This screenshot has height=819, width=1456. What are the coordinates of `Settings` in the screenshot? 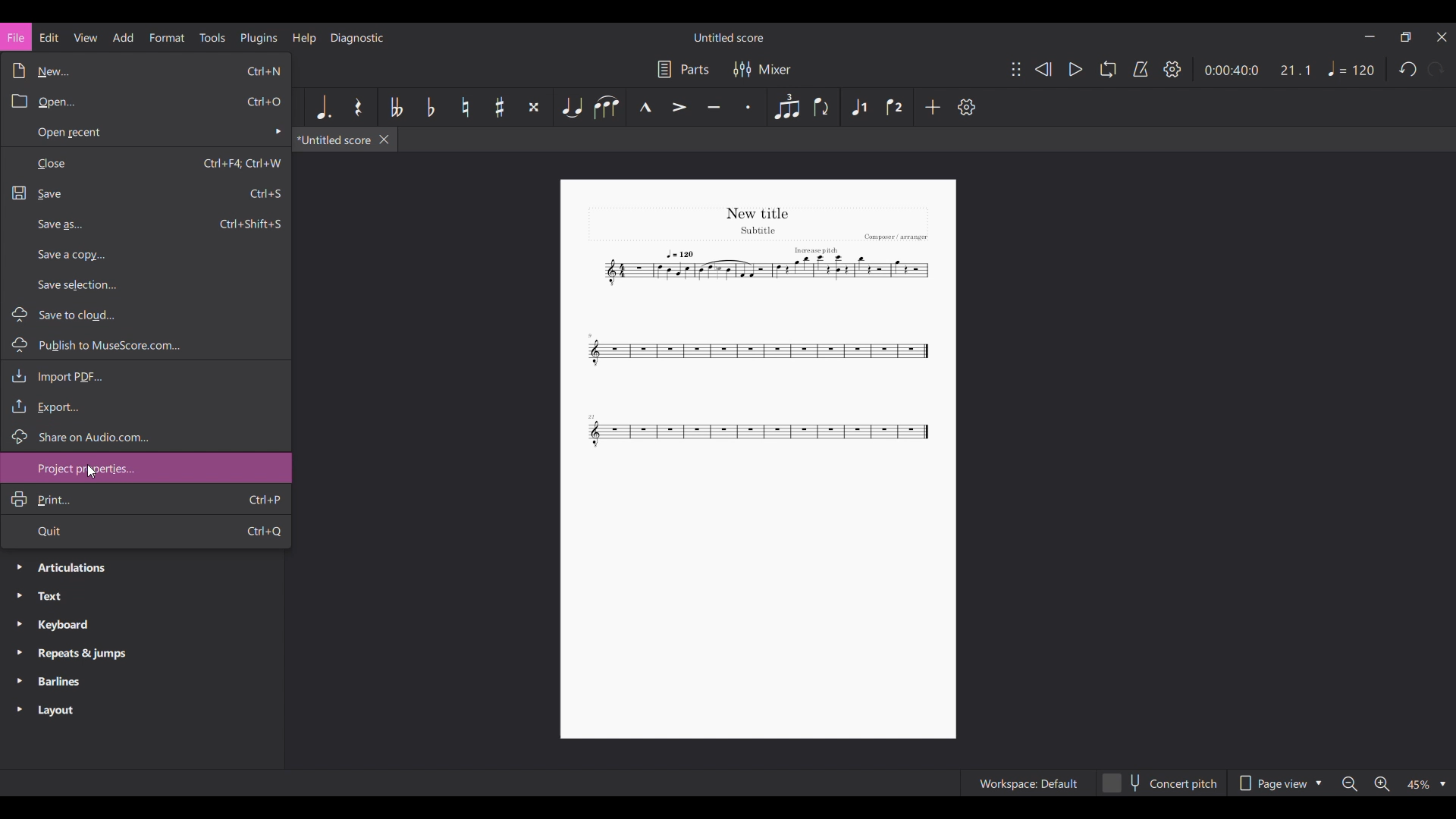 It's located at (1172, 69).